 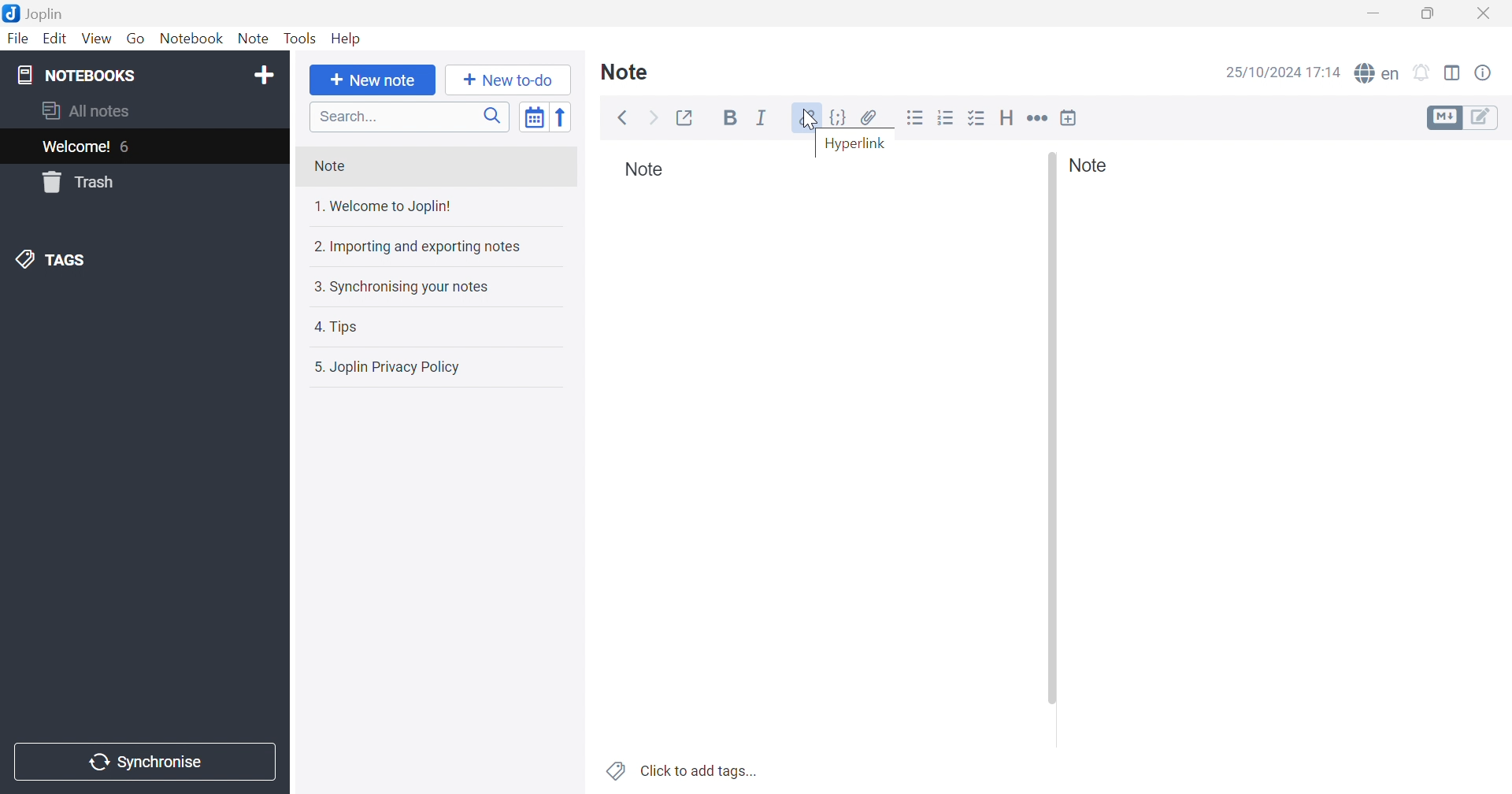 I want to click on Notebooks, so click(x=124, y=75).